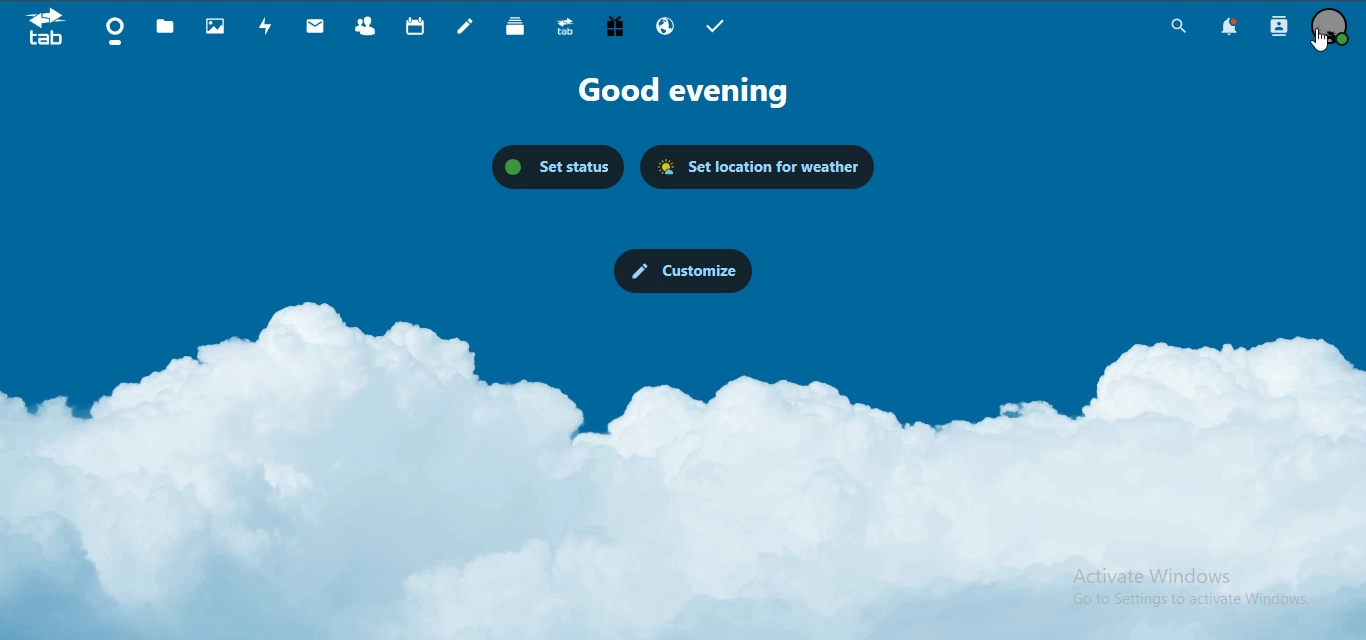  What do you see at coordinates (118, 29) in the screenshot?
I see `dashboard` at bounding box center [118, 29].